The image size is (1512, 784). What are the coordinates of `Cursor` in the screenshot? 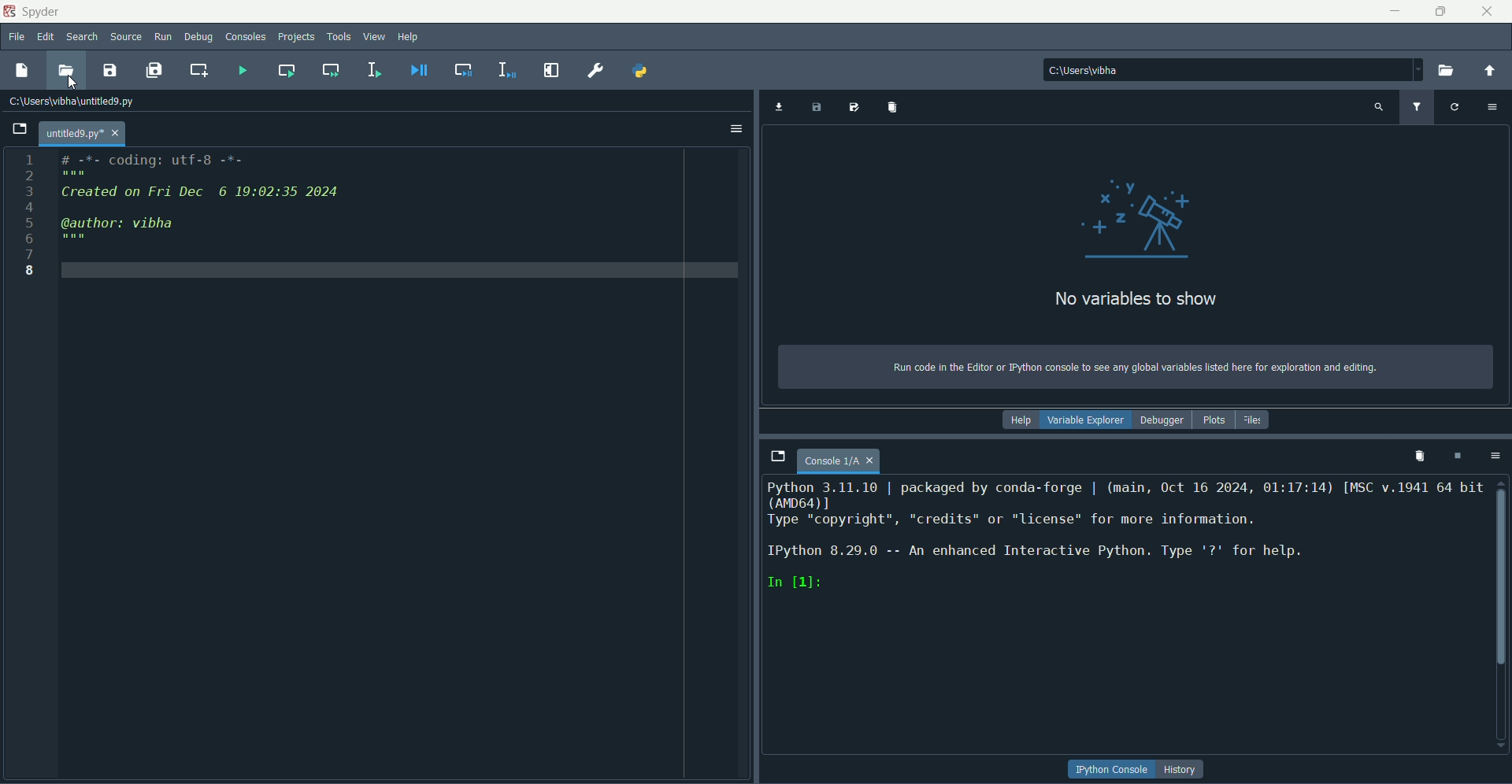 It's located at (72, 81).